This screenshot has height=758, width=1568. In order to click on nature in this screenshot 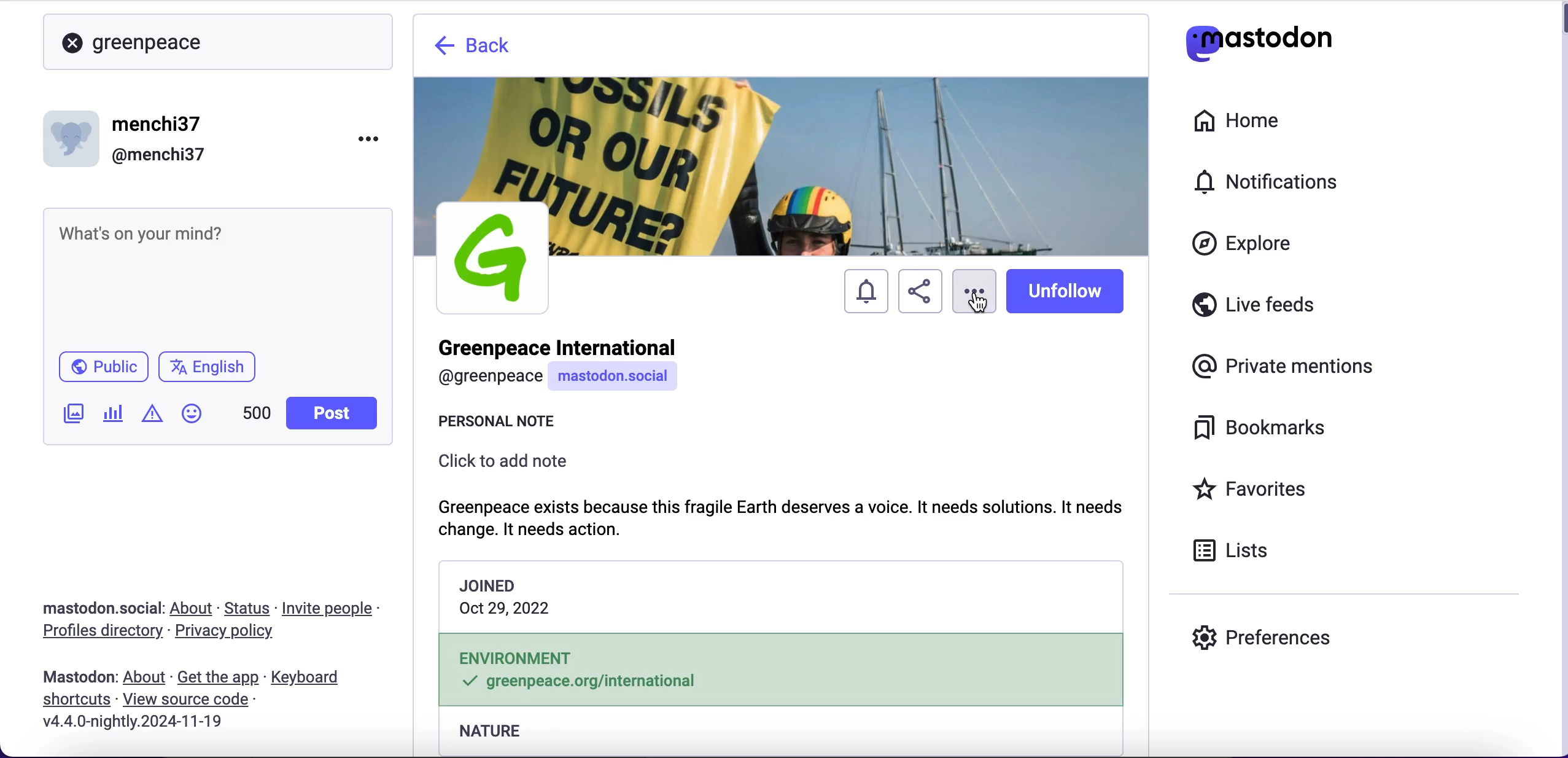, I will do `click(780, 735)`.